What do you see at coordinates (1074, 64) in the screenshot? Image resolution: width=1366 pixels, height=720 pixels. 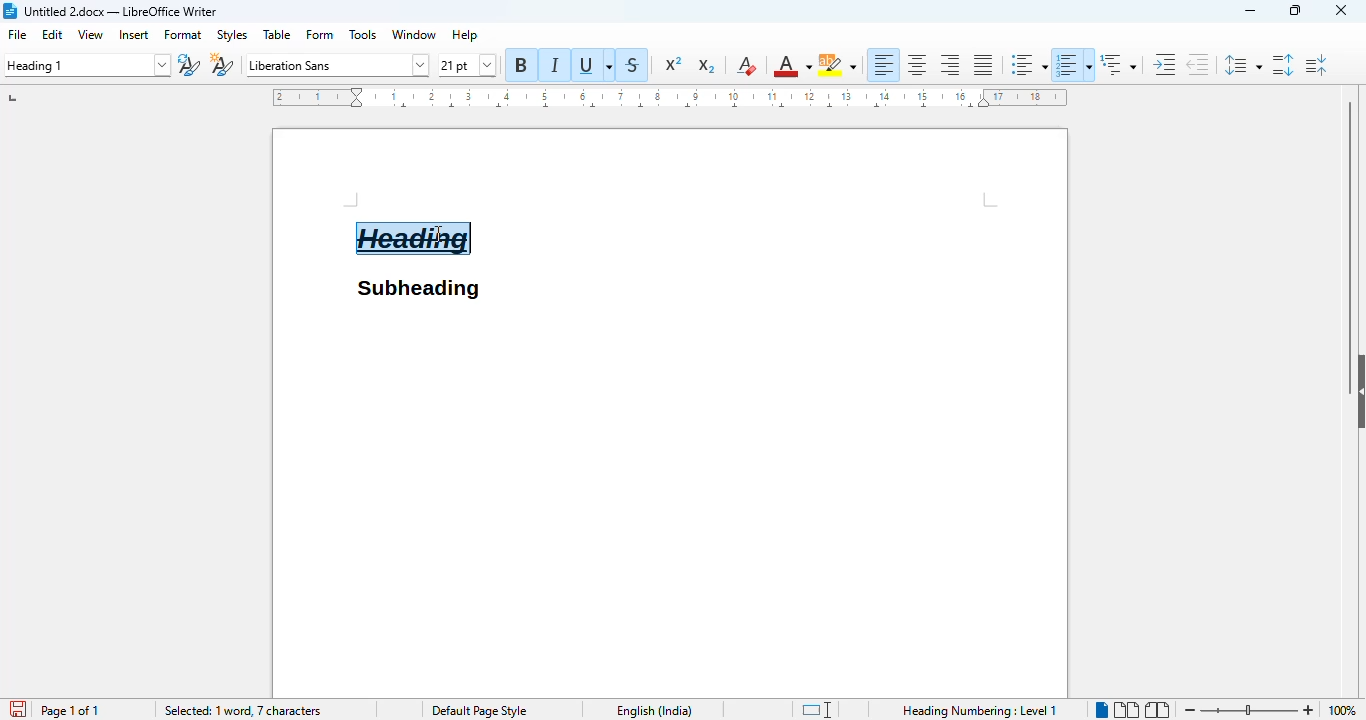 I see `toggle ordered list` at bounding box center [1074, 64].